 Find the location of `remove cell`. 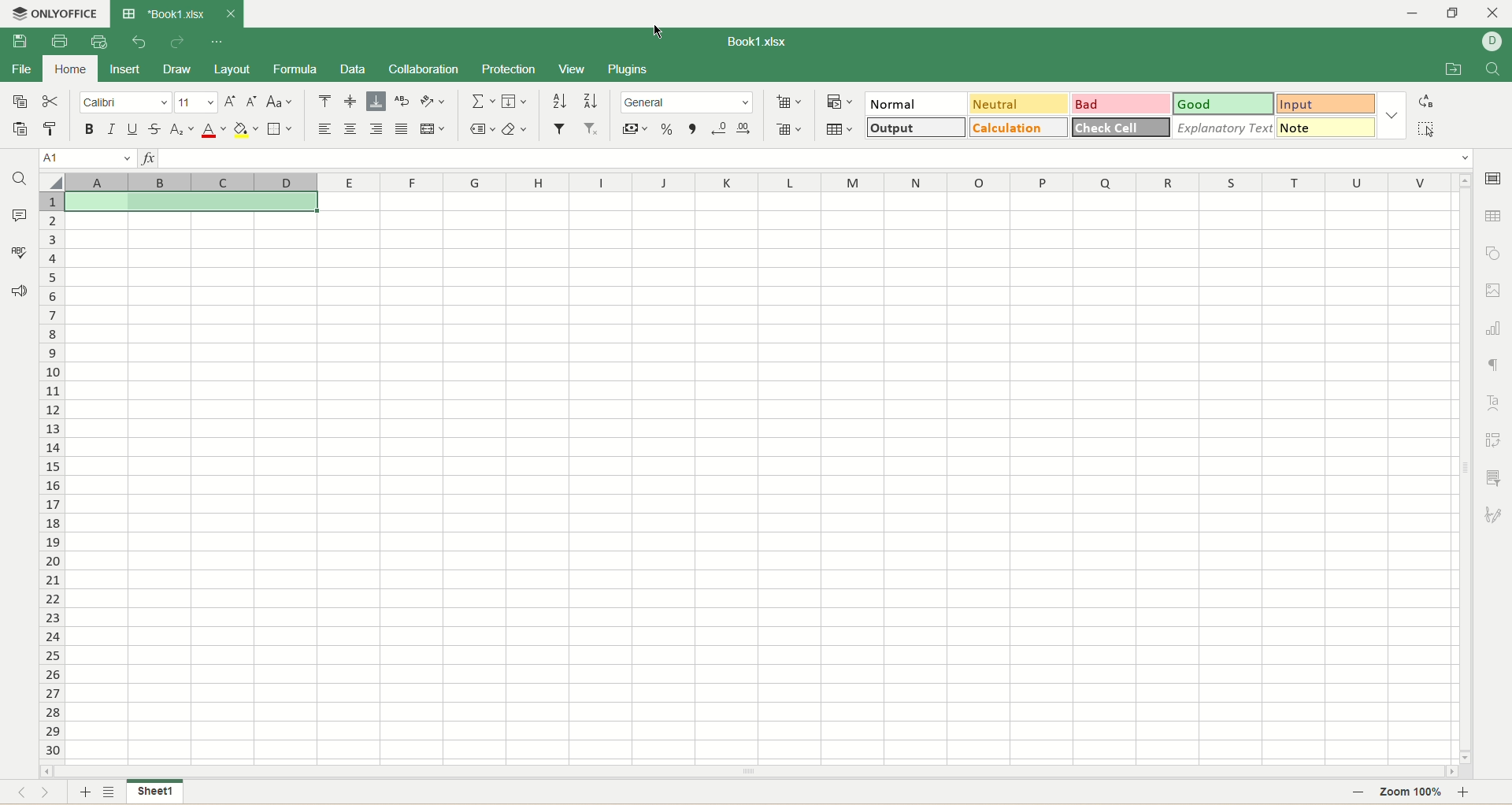

remove cell is located at coordinates (788, 128).